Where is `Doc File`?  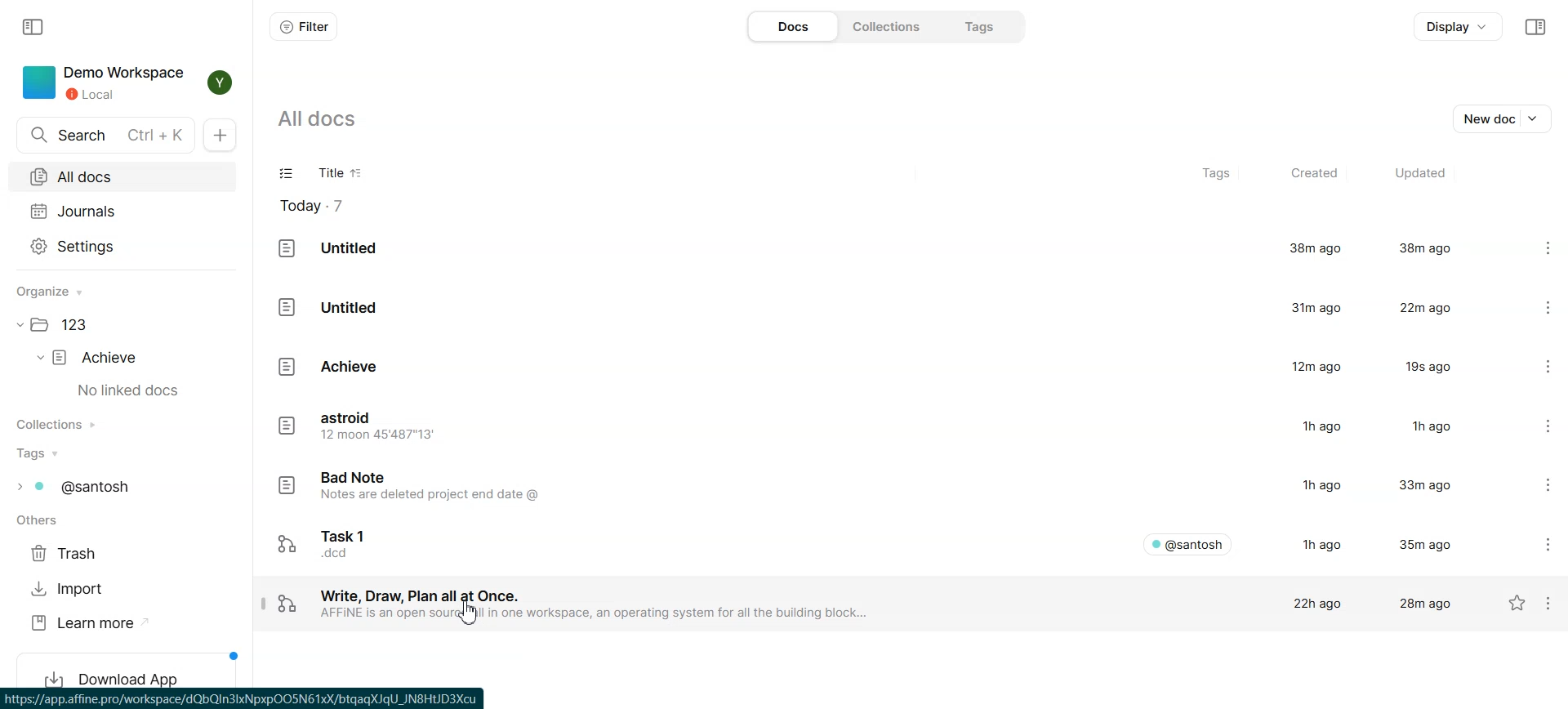
Doc File is located at coordinates (879, 305).